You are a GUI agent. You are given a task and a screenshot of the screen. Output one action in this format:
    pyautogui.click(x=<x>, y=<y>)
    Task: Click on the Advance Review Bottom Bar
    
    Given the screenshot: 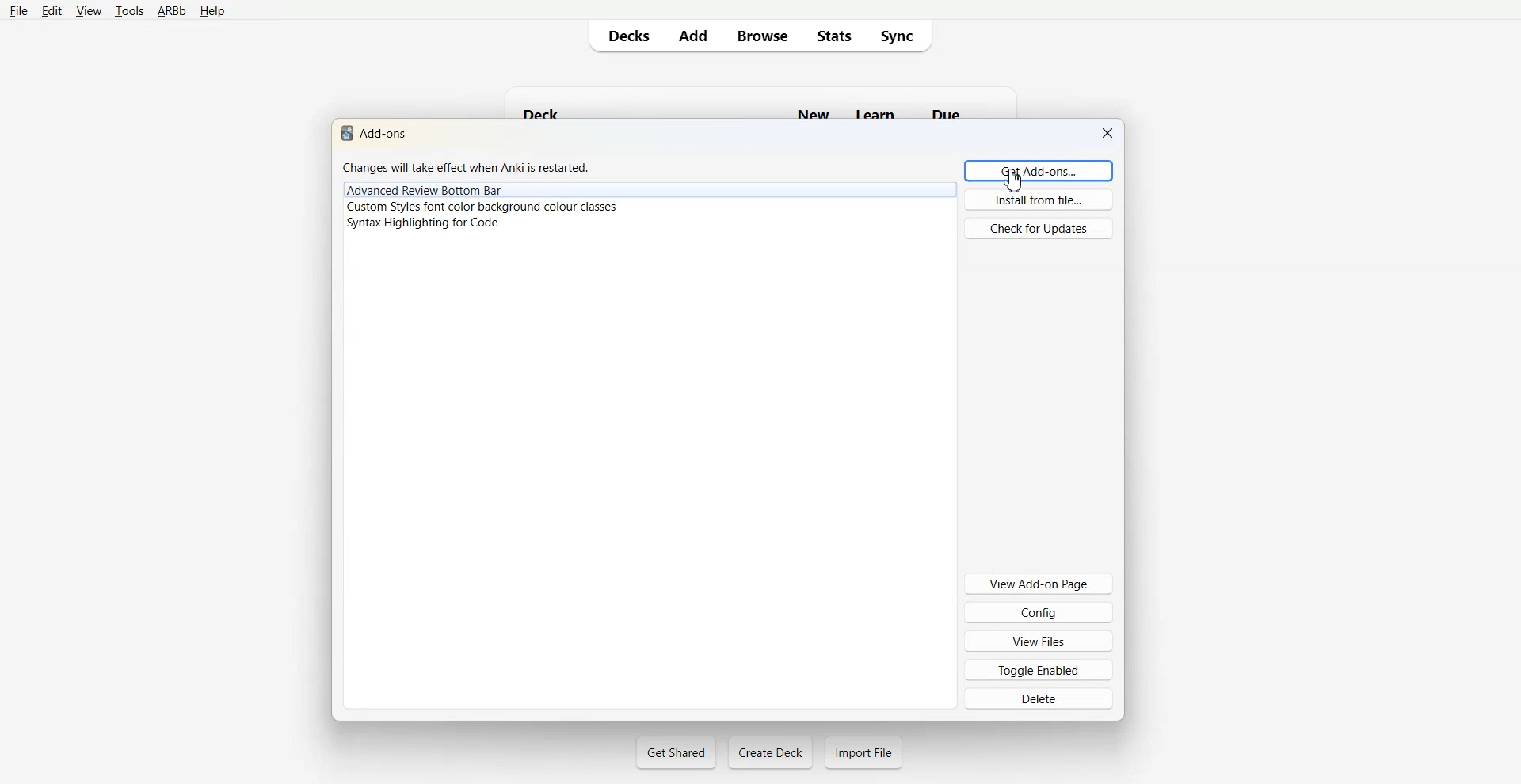 What is the action you would take?
    pyautogui.click(x=650, y=189)
    